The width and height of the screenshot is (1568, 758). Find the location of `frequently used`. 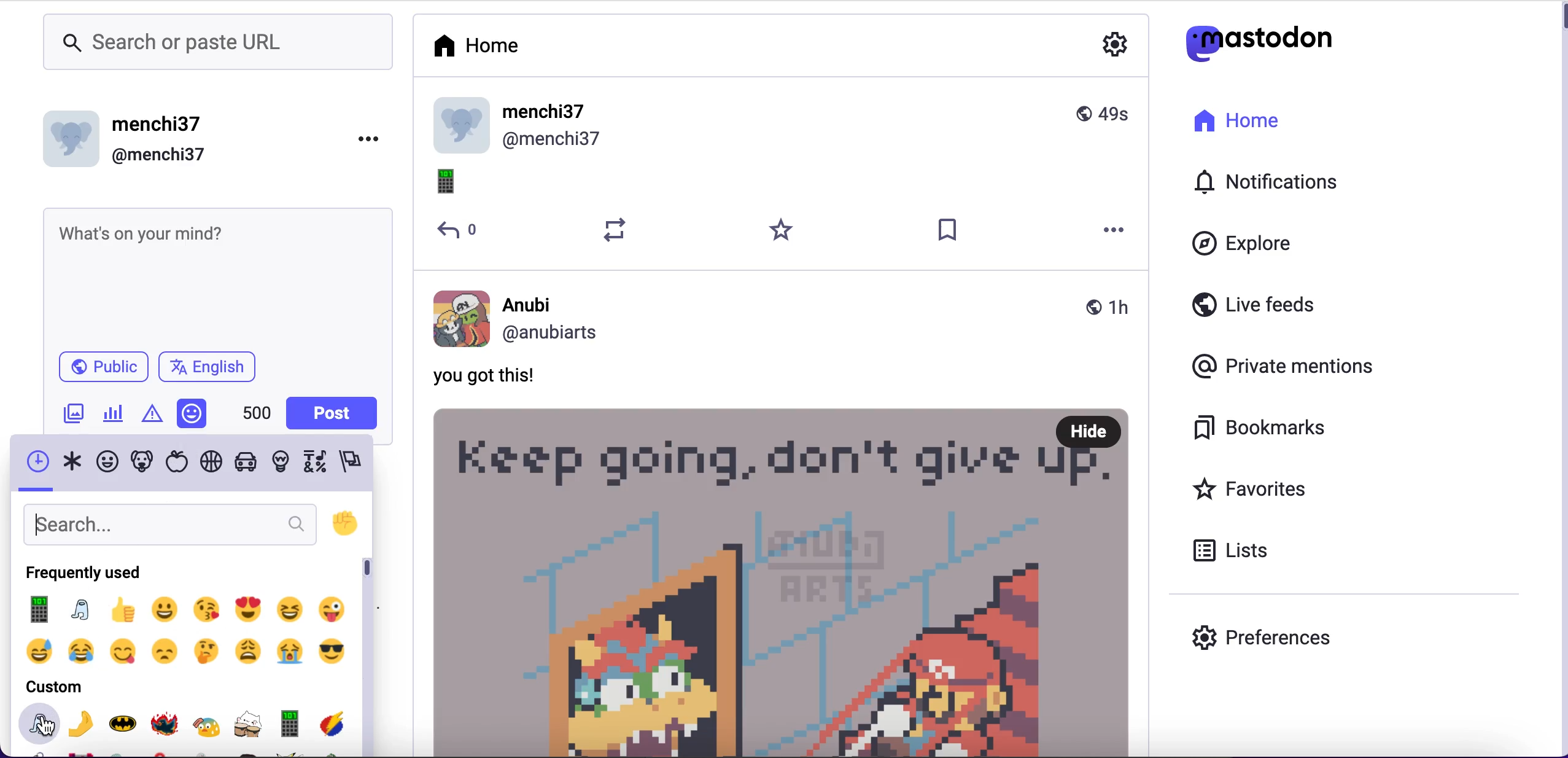

frequently used is located at coordinates (83, 574).